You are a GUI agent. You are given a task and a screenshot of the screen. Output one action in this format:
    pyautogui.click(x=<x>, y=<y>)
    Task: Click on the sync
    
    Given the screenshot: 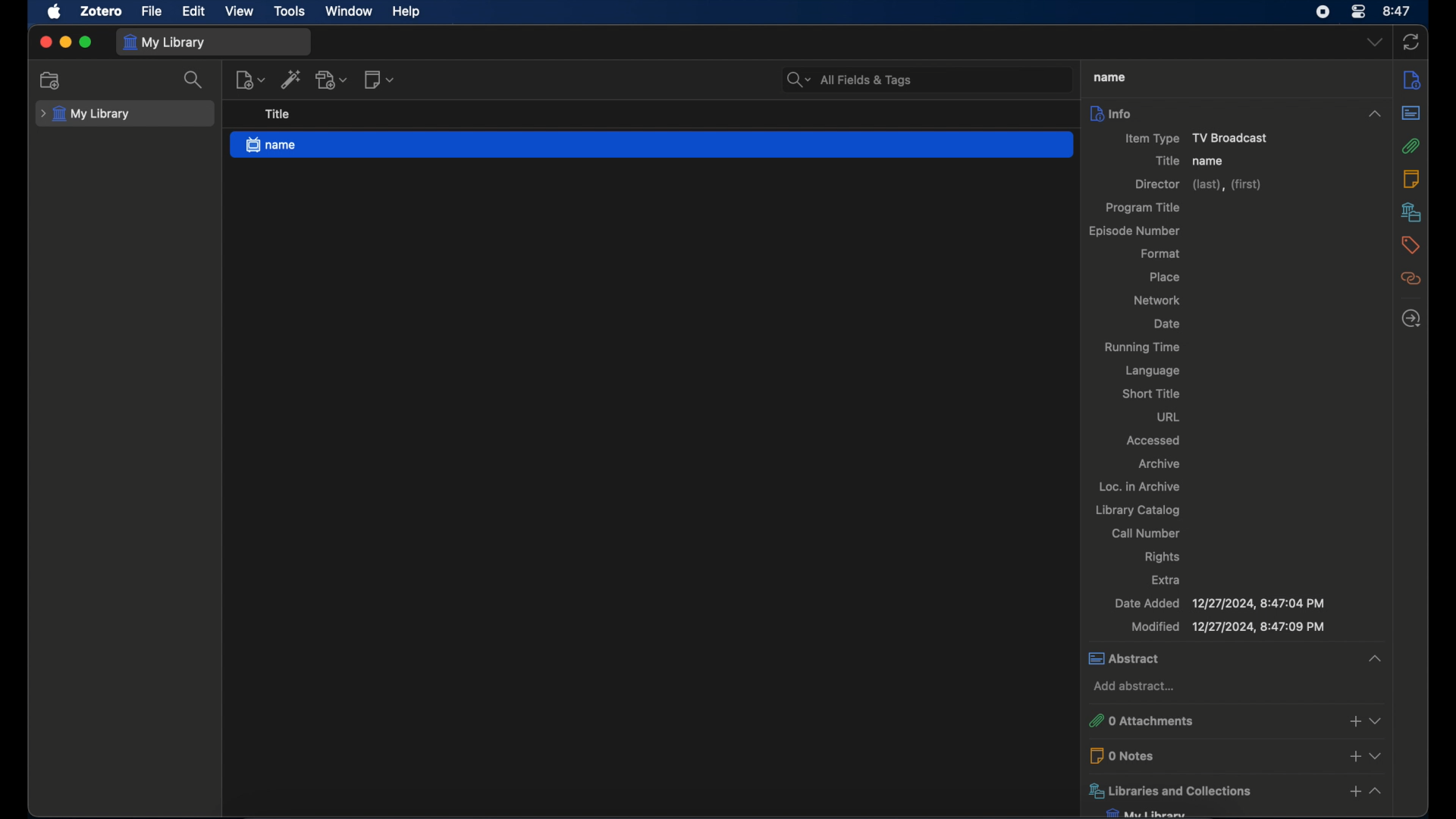 What is the action you would take?
    pyautogui.click(x=1410, y=43)
    